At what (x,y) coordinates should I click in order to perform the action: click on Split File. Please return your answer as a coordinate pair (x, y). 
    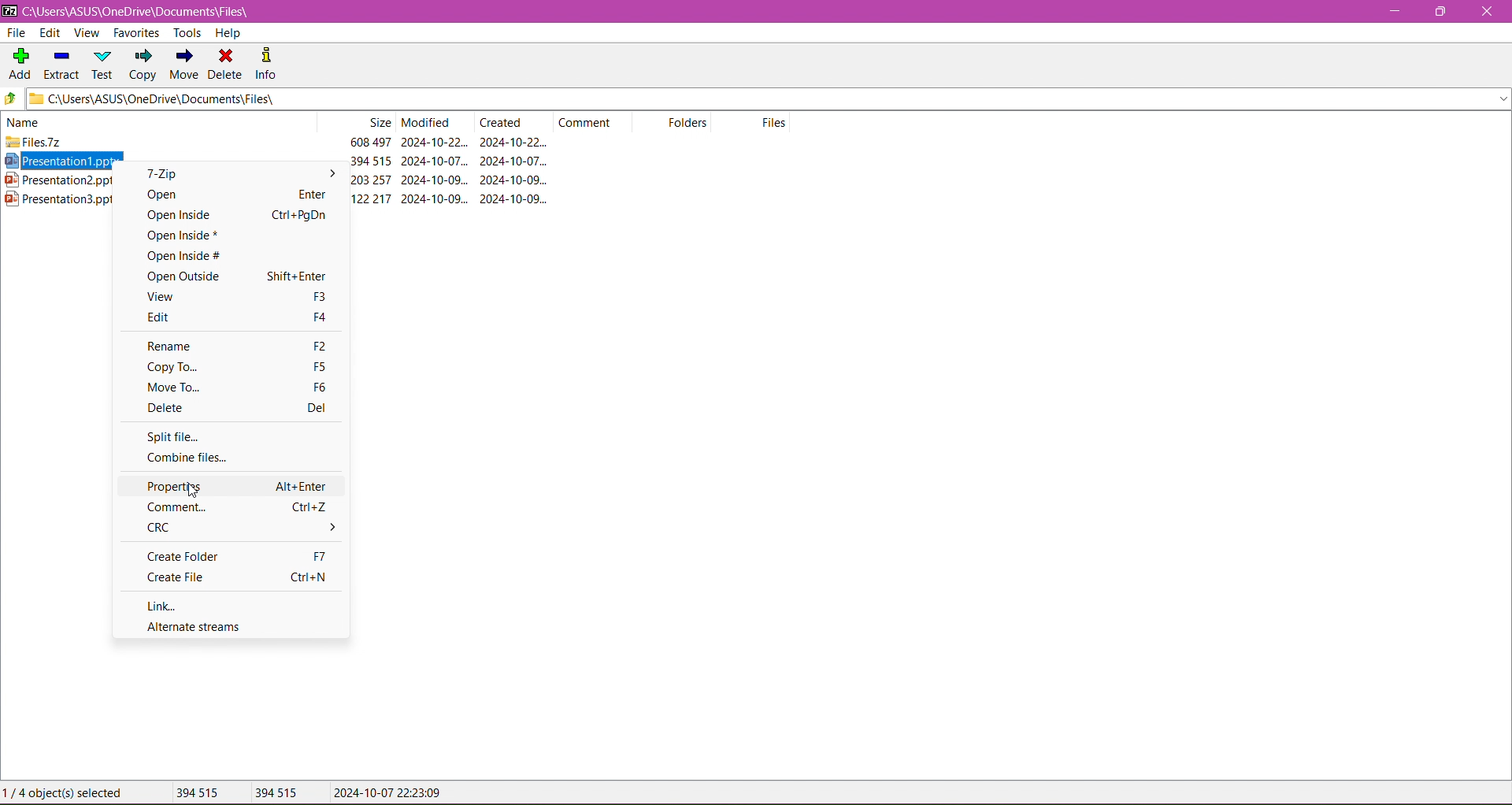
    Looking at the image, I should click on (172, 438).